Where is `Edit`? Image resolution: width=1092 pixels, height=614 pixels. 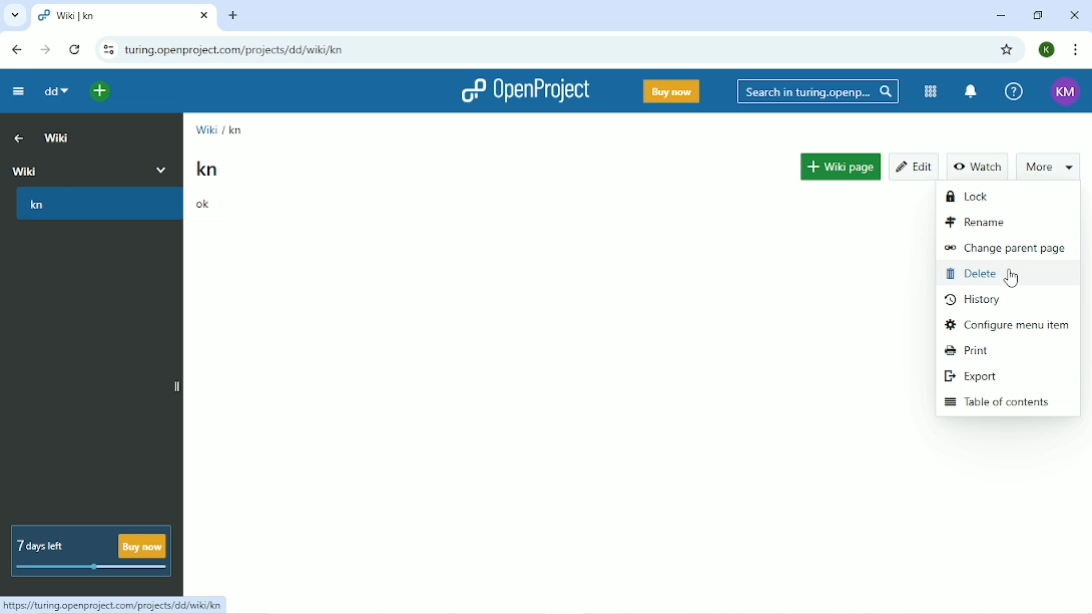
Edit is located at coordinates (915, 161).